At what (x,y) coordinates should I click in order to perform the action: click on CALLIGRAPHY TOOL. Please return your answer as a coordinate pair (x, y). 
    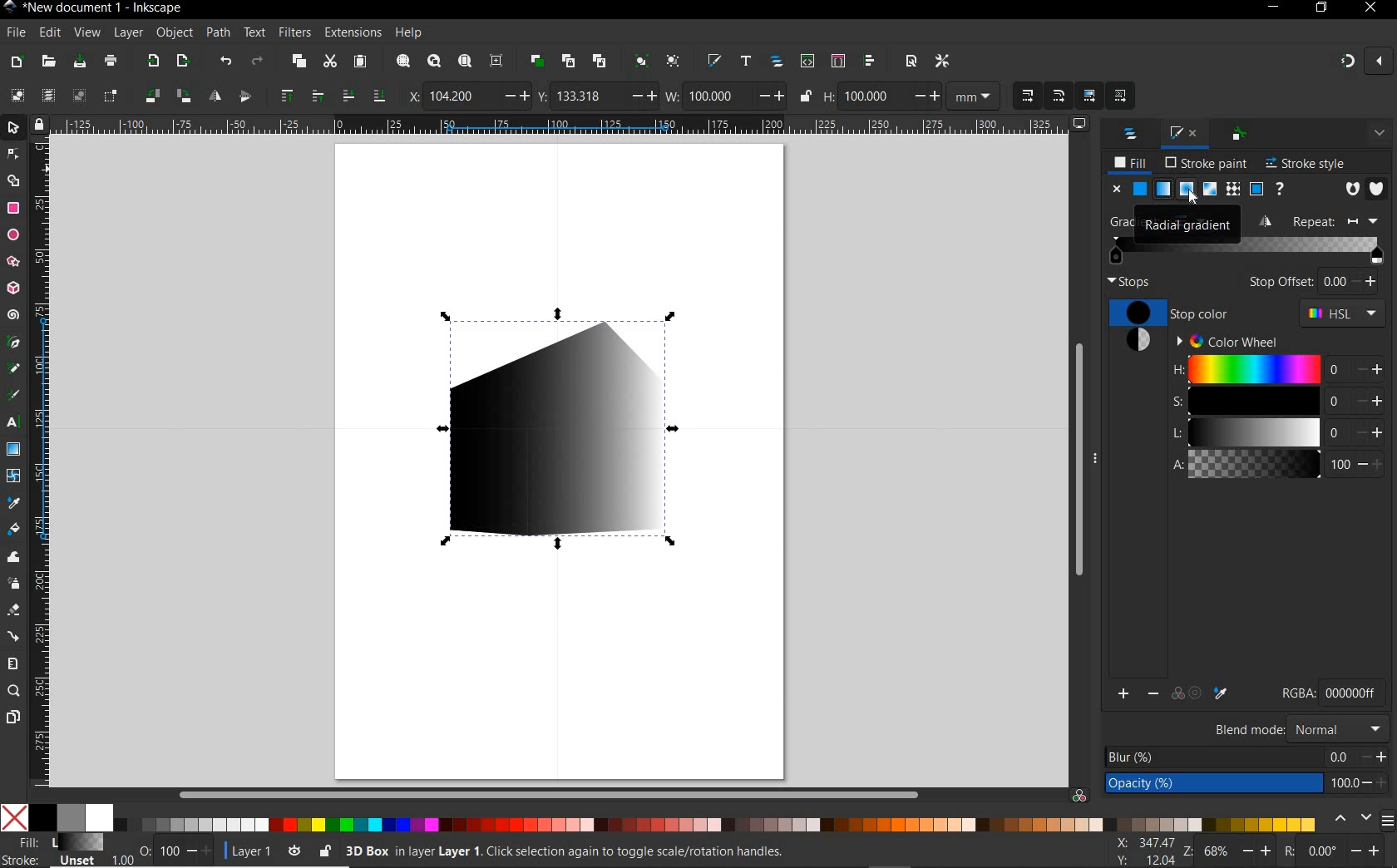
    Looking at the image, I should click on (13, 396).